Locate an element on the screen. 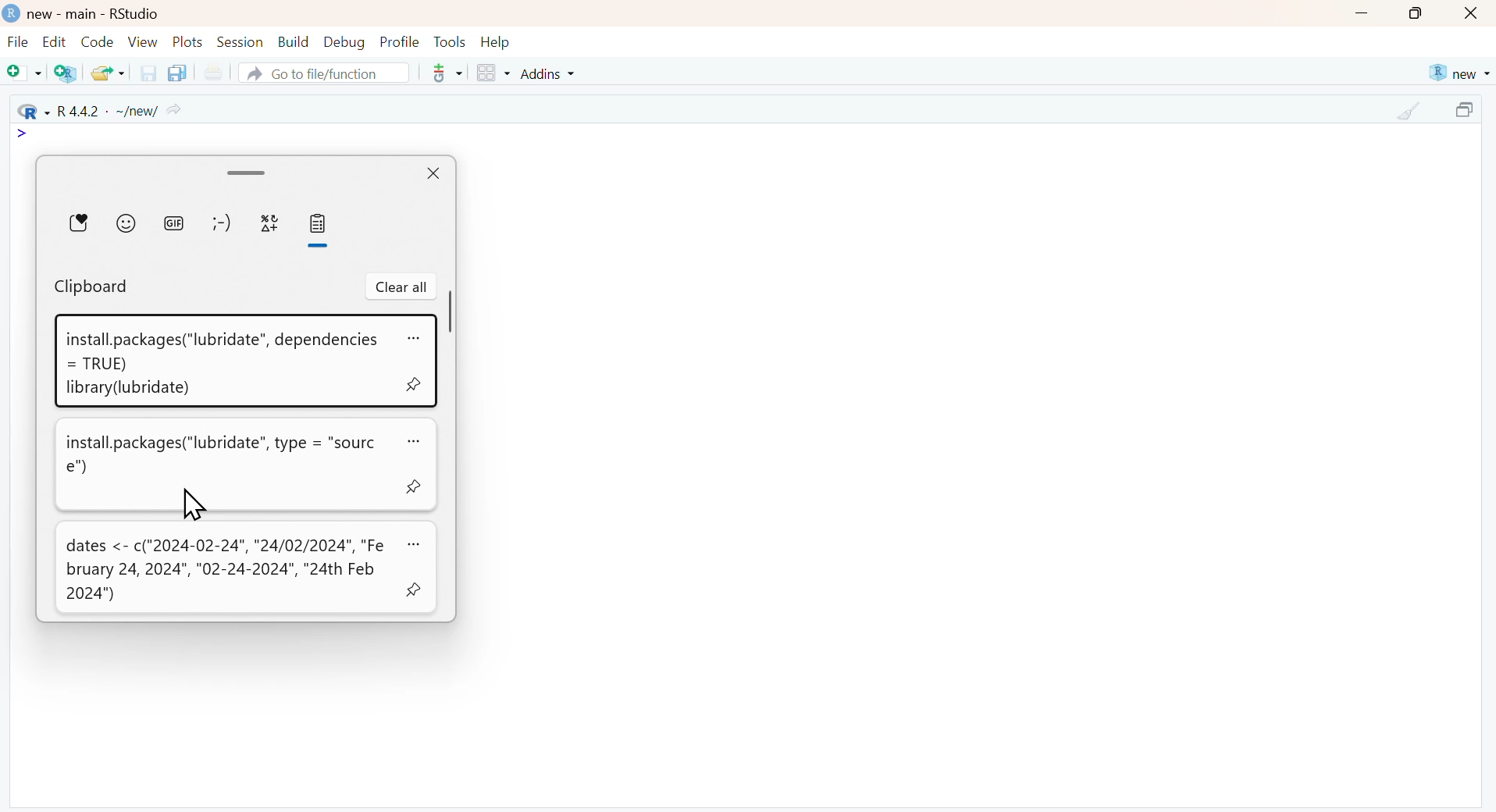  File is located at coordinates (18, 44).